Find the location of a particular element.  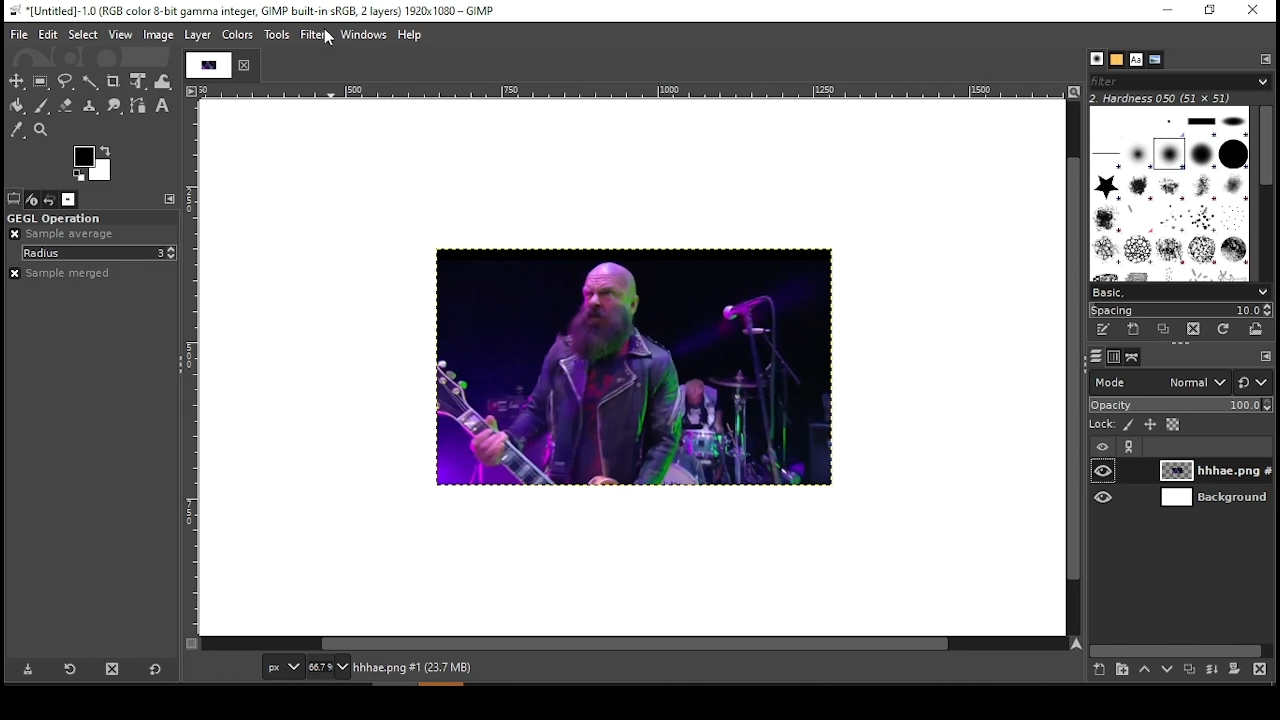

sample average is located at coordinates (64, 234).